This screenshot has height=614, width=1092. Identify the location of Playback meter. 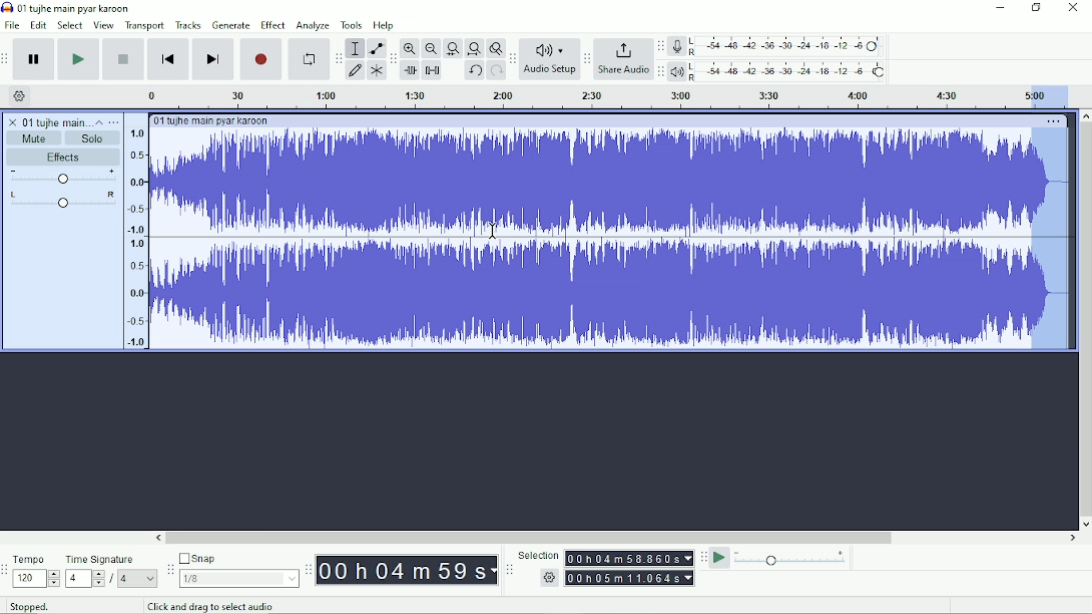
(778, 71).